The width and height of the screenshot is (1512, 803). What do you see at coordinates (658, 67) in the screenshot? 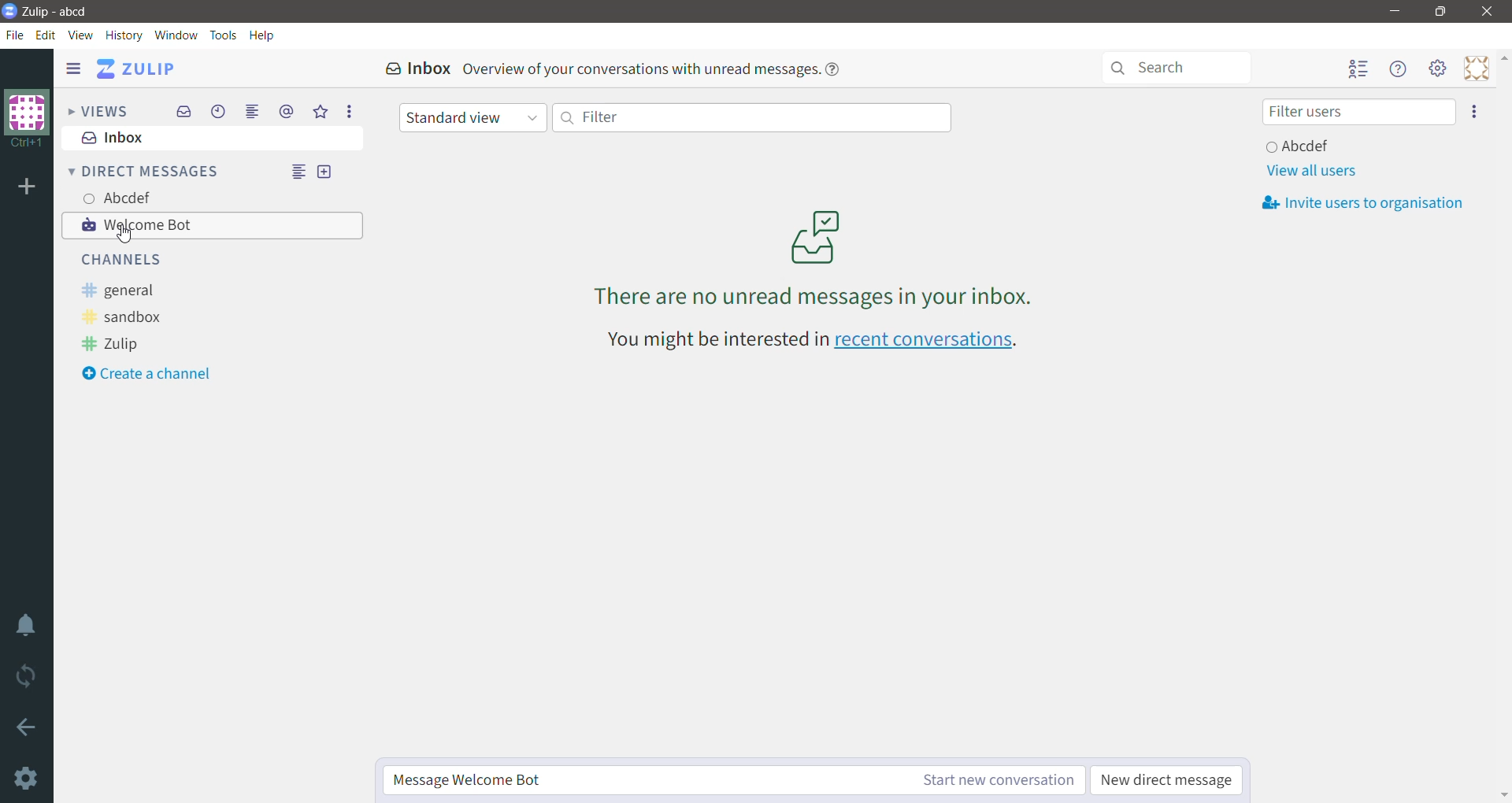
I see `Overview of your conversations with unread messages` at bounding box center [658, 67].